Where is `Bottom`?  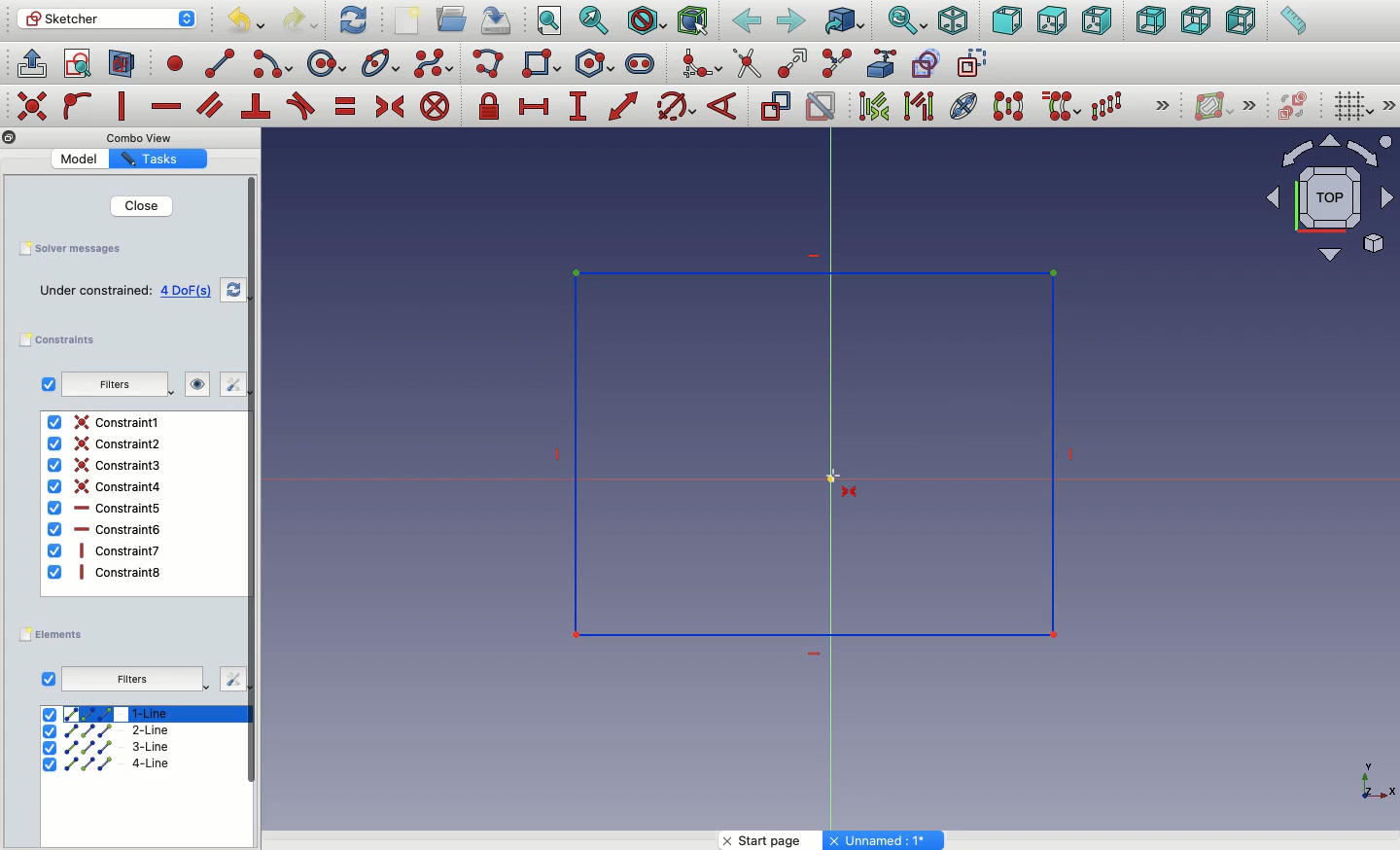
Bottom is located at coordinates (1194, 22).